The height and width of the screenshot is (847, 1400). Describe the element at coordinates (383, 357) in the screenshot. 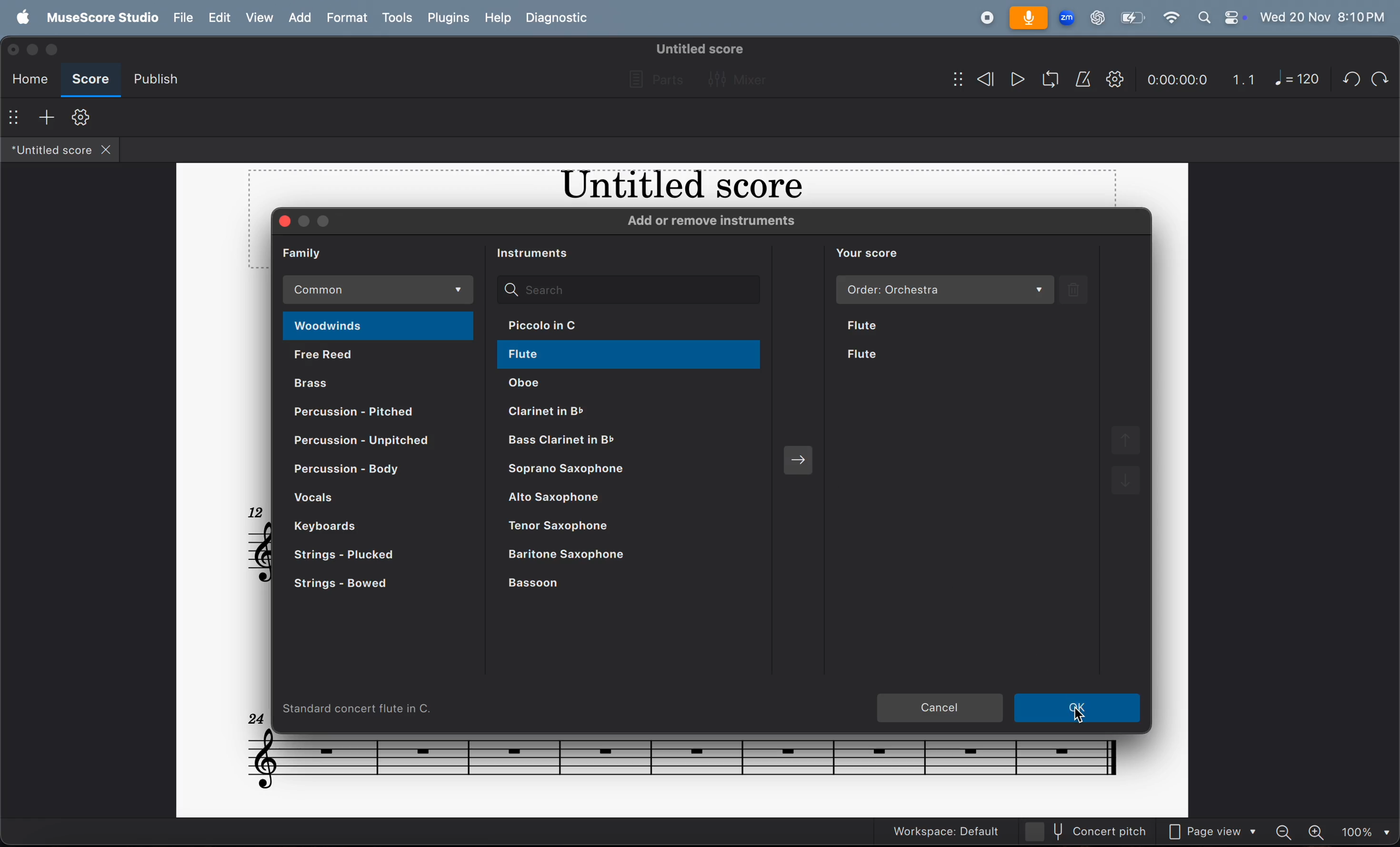

I see `free reed` at that location.